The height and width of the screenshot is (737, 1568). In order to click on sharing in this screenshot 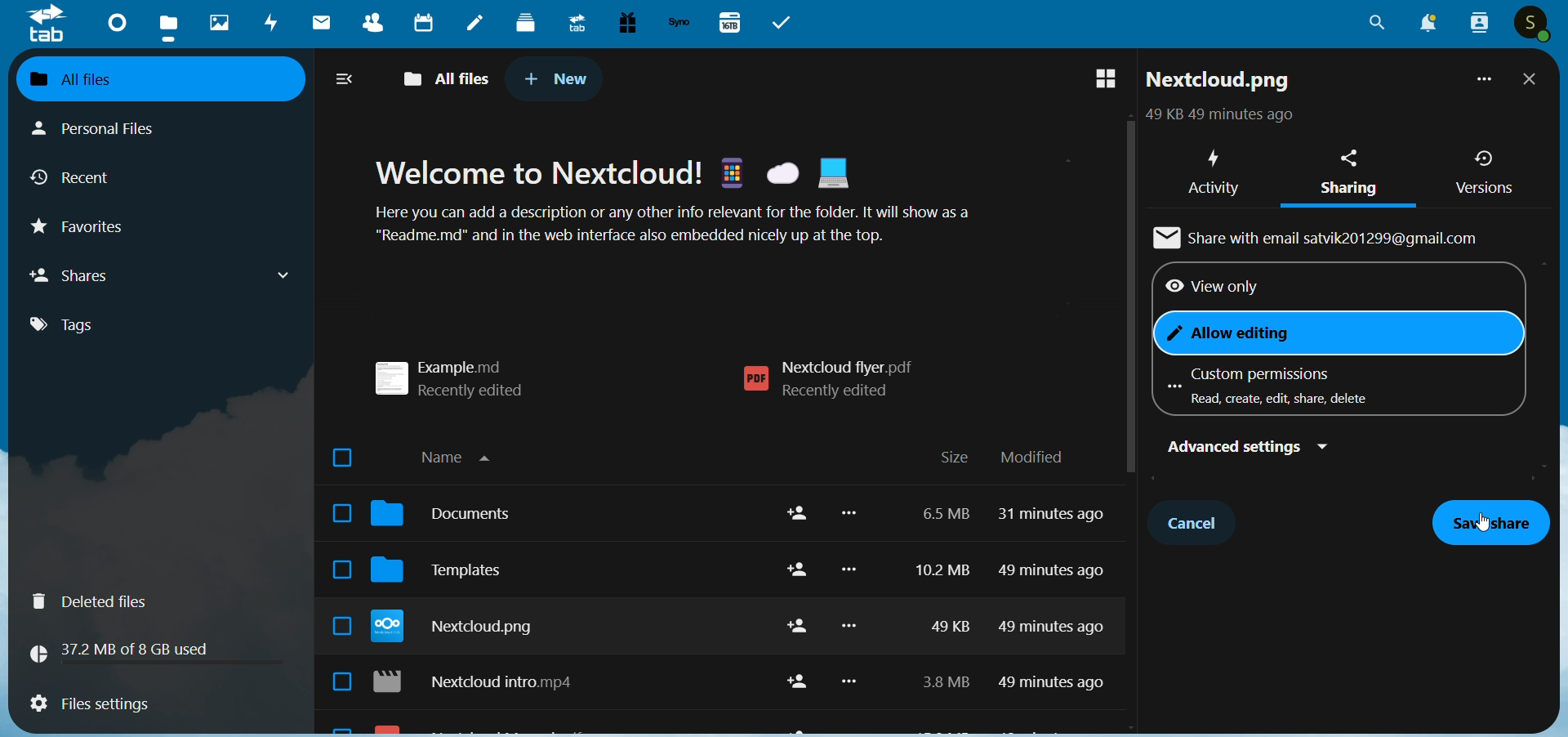, I will do `click(1348, 173)`.